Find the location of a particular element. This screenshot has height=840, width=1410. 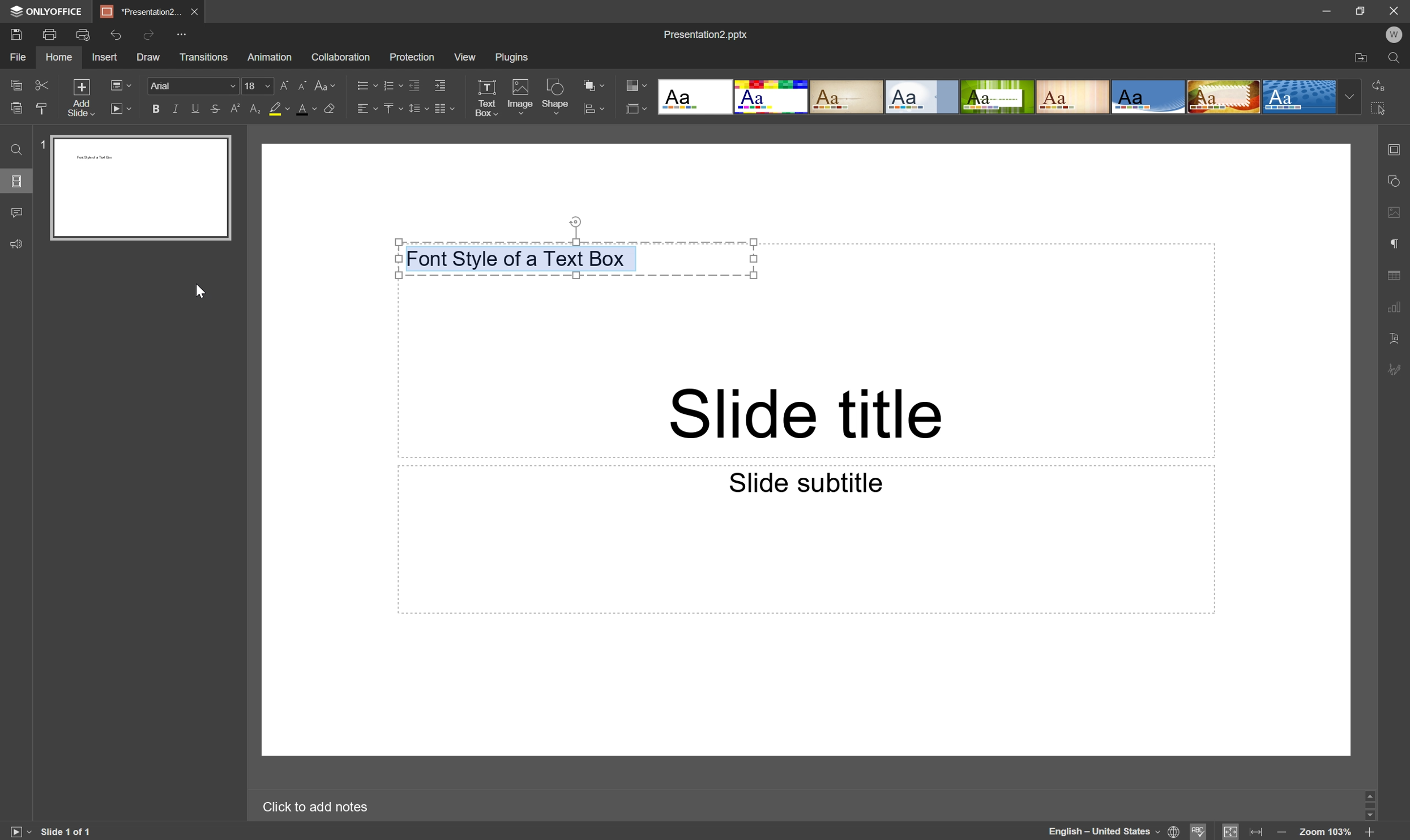

Customize Quick Access Toolbar is located at coordinates (186, 36).